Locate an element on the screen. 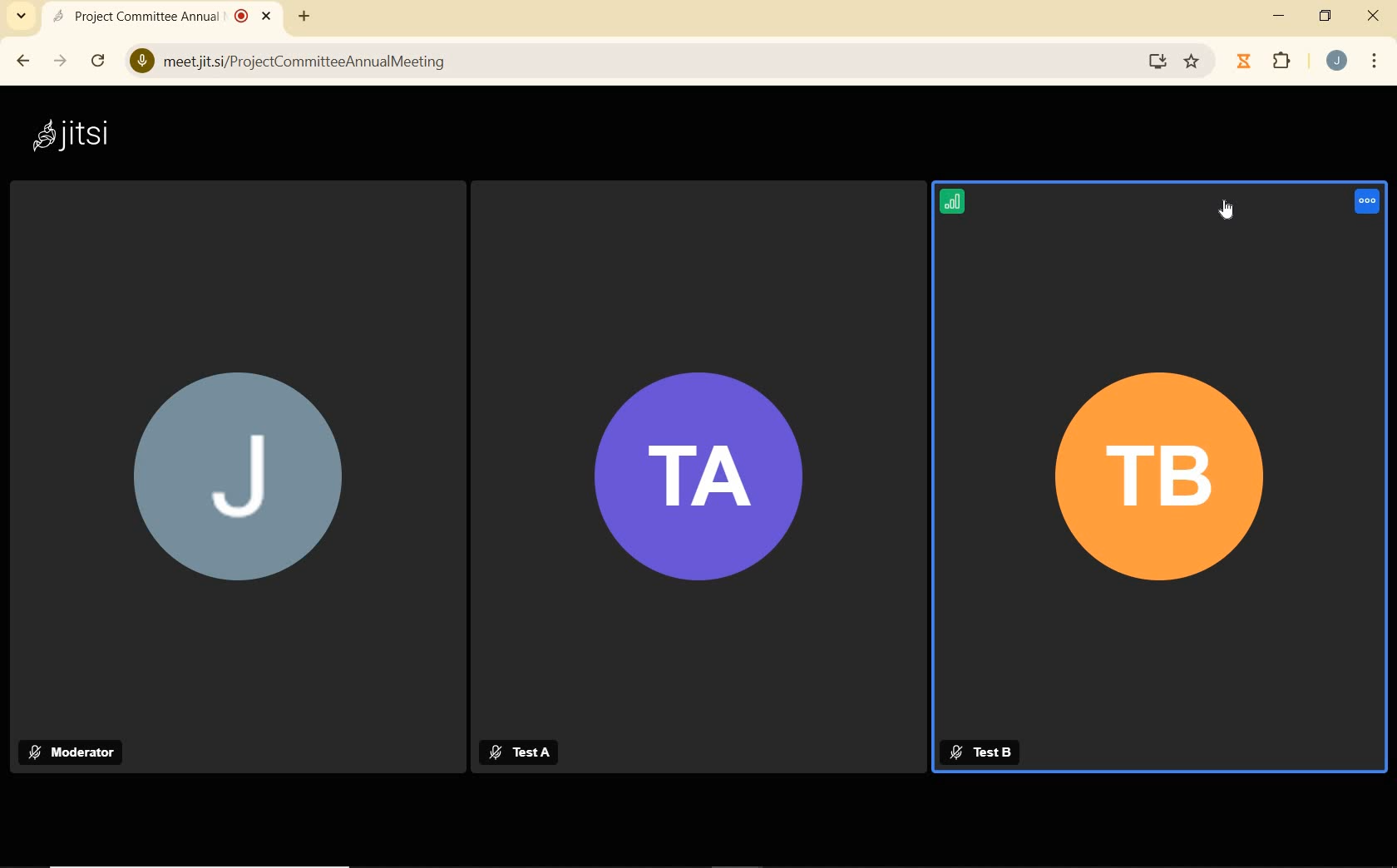 Image resolution: width=1397 pixels, height=868 pixels. TA is located at coordinates (698, 481).